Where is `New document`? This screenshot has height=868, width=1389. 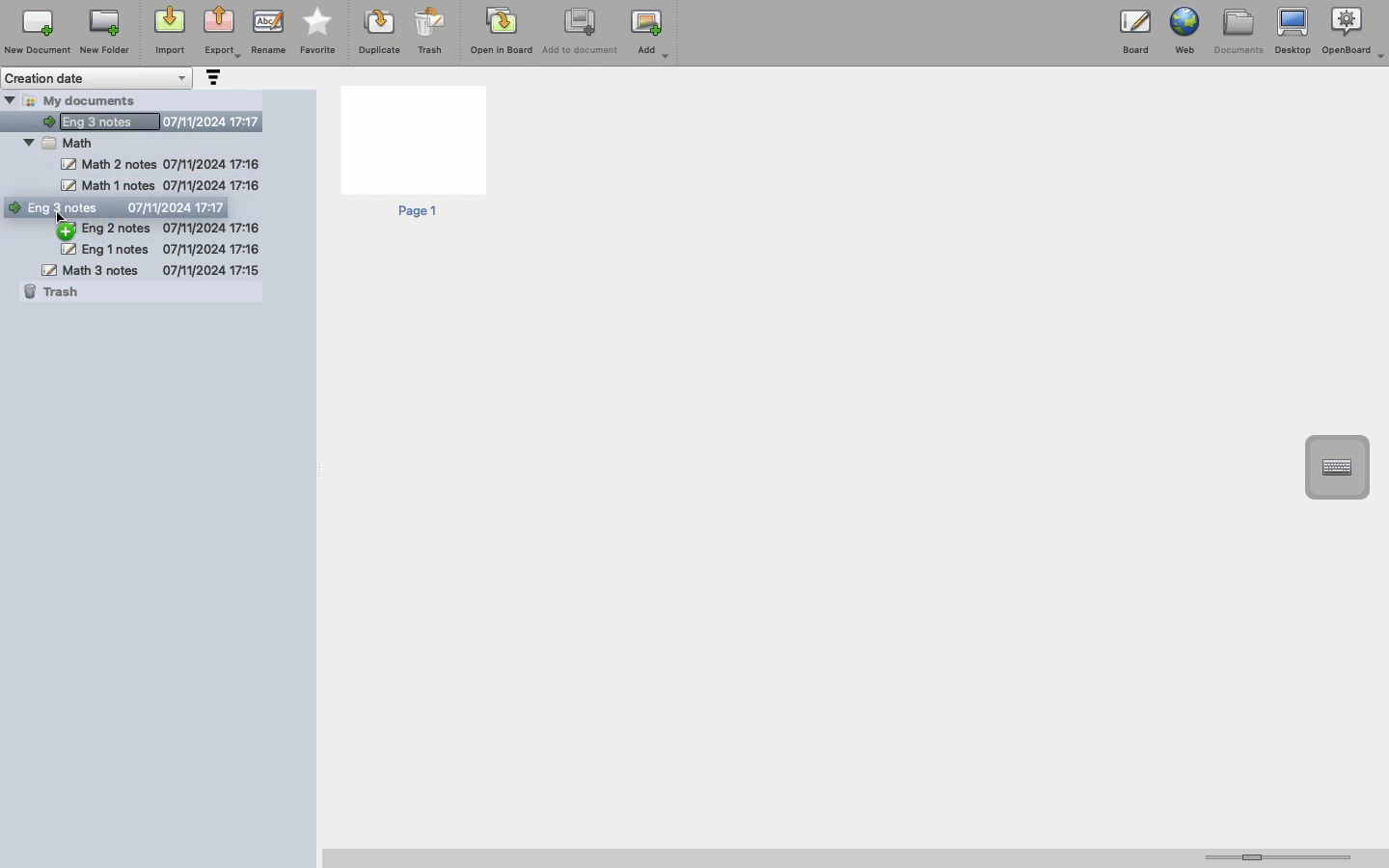 New document is located at coordinates (38, 32).